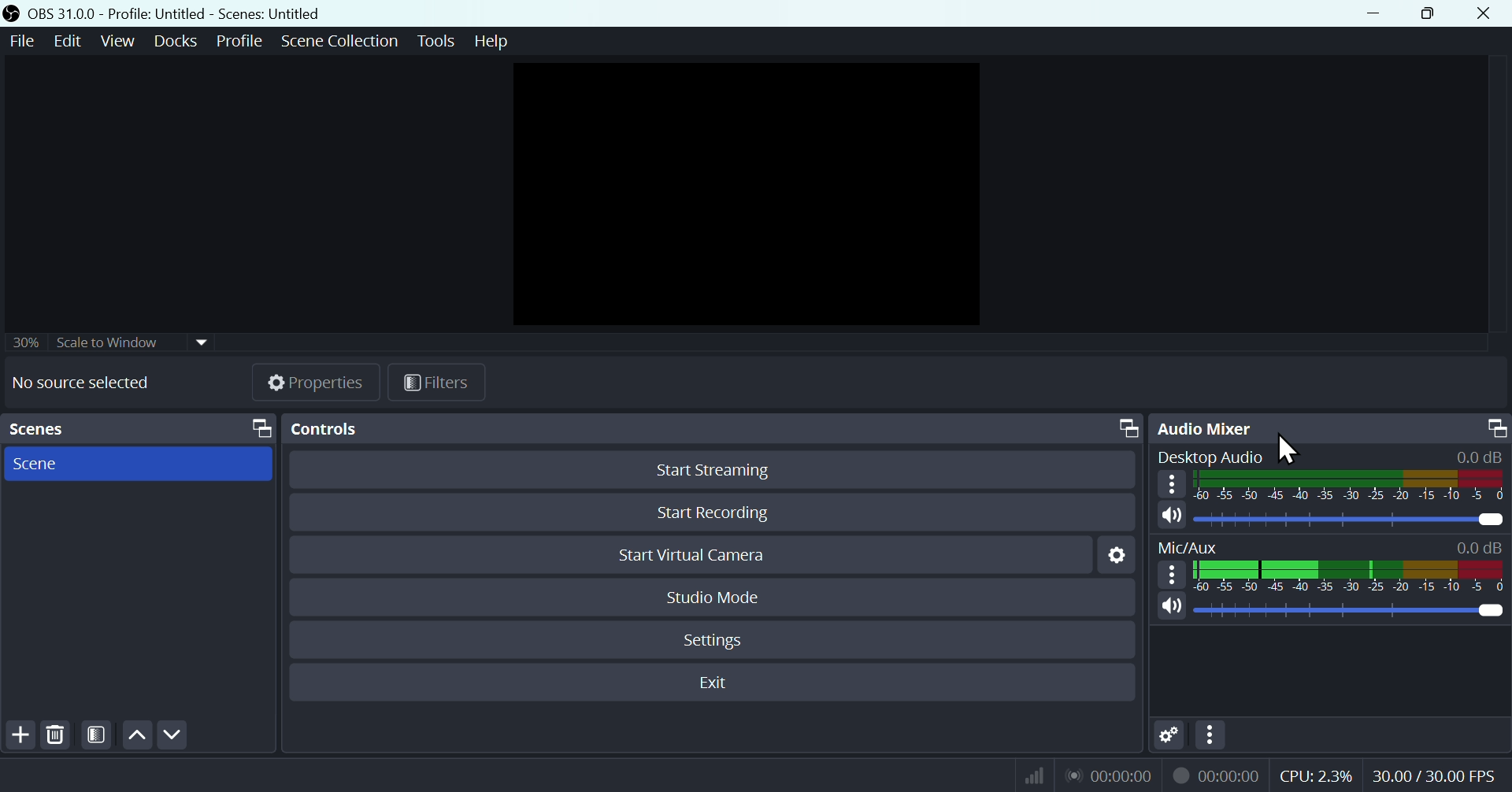  Describe the element at coordinates (1210, 733) in the screenshot. I see `More options` at that location.